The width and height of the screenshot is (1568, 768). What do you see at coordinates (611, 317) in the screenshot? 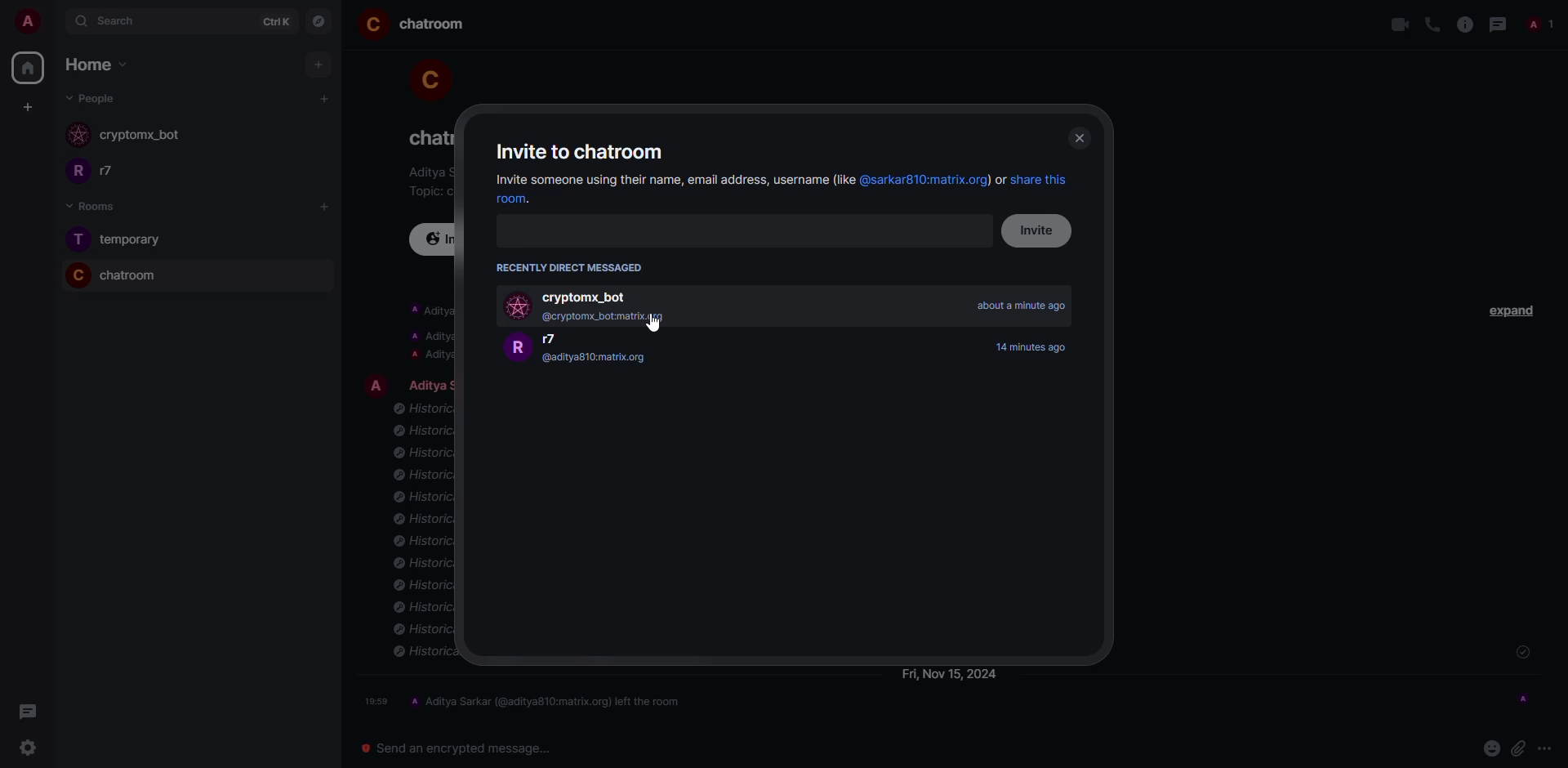
I see `email id` at bounding box center [611, 317].